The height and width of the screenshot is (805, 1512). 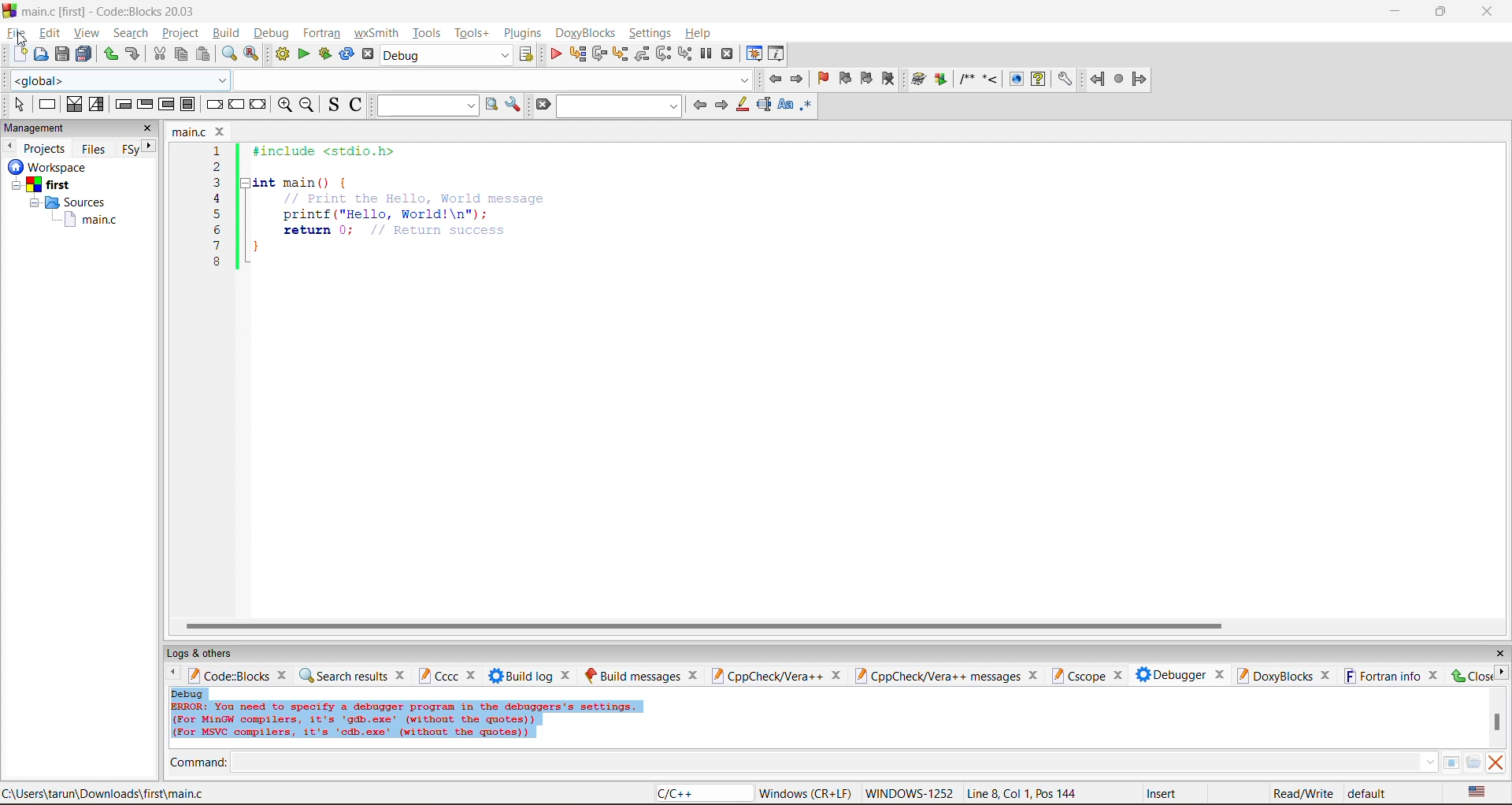 What do you see at coordinates (106, 793) in the screenshot?
I see `file location` at bounding box center [106, 793].